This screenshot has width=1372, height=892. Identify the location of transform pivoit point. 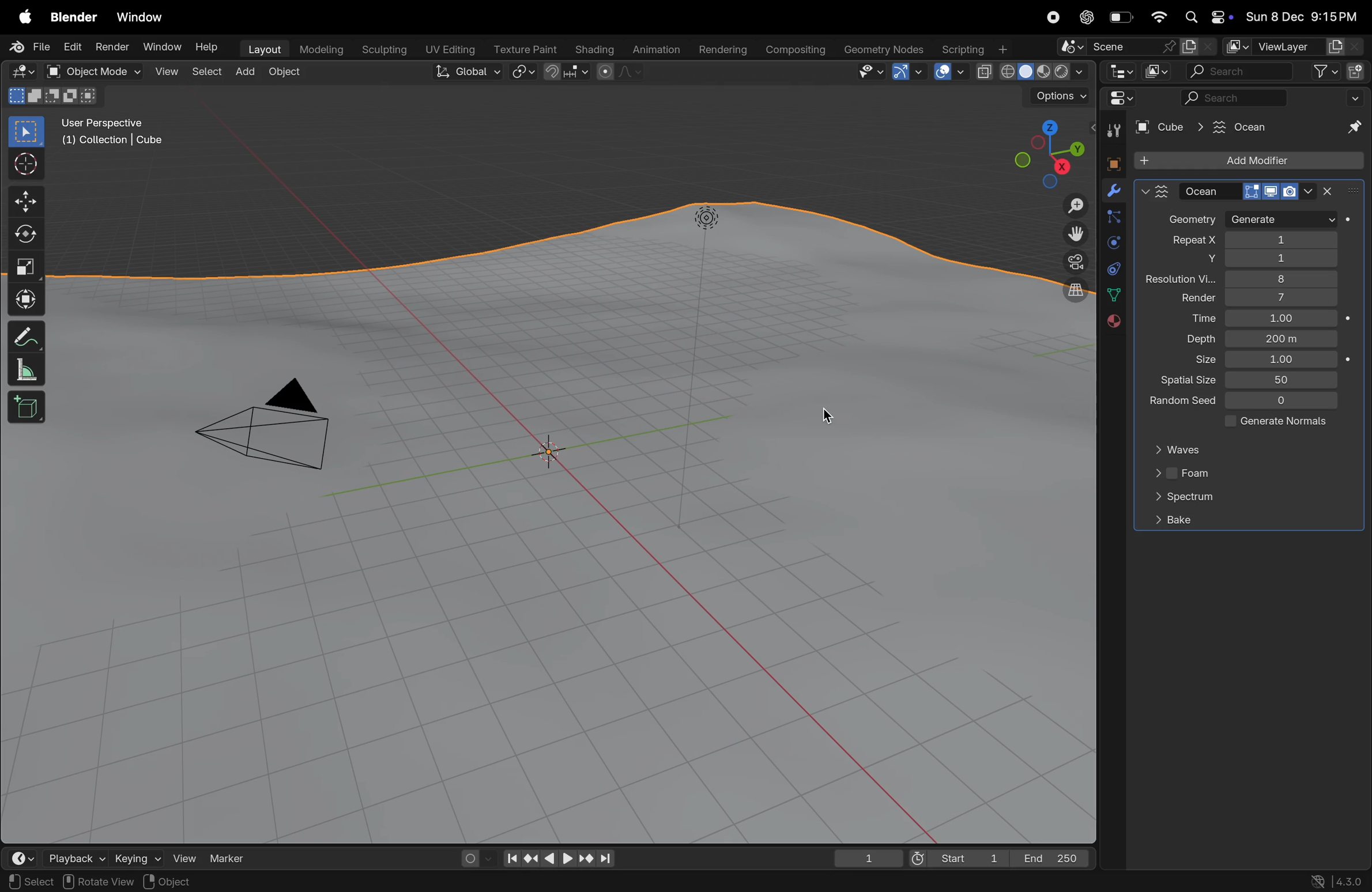
(524, 73).